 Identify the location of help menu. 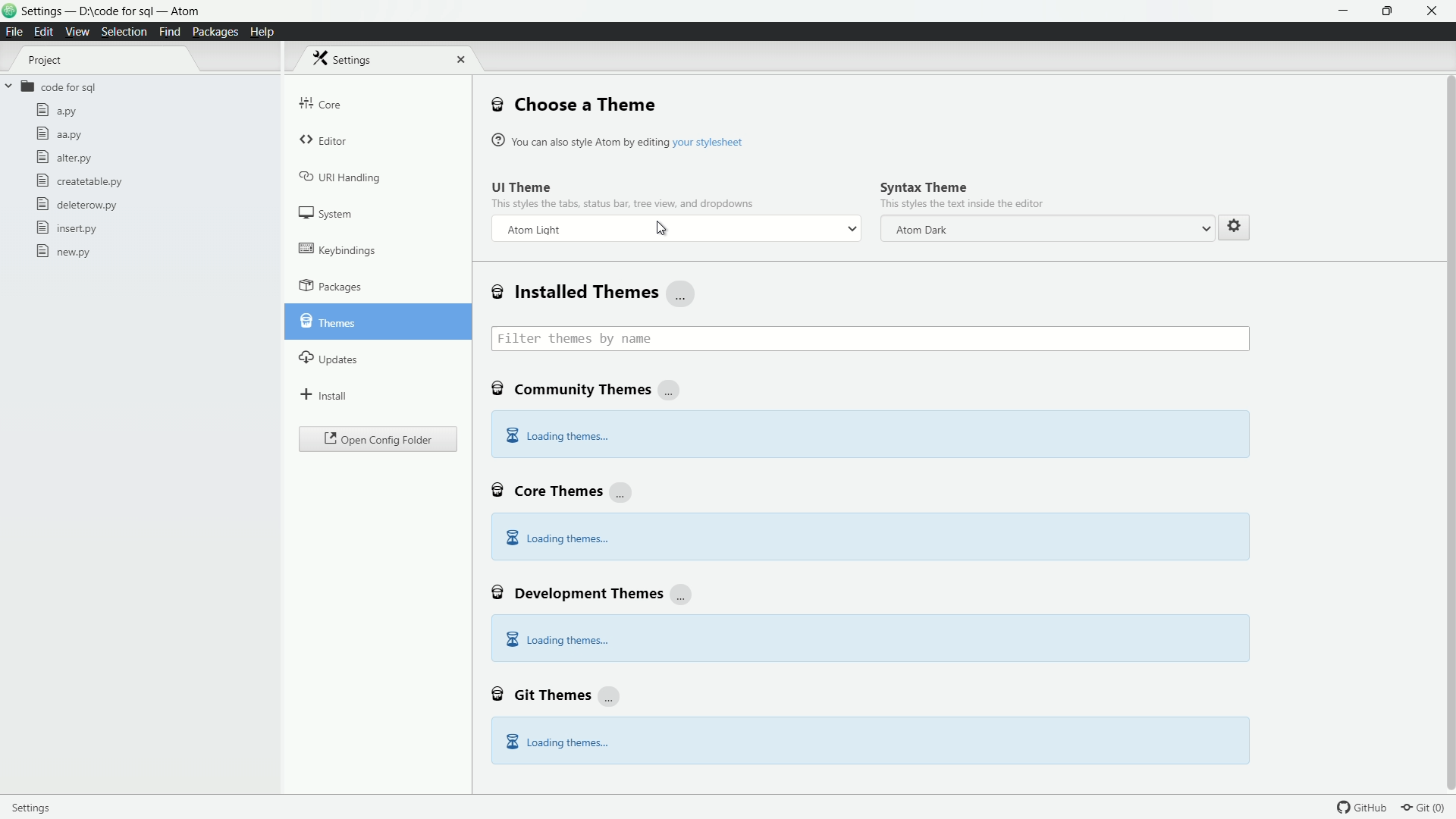
(261, 33).